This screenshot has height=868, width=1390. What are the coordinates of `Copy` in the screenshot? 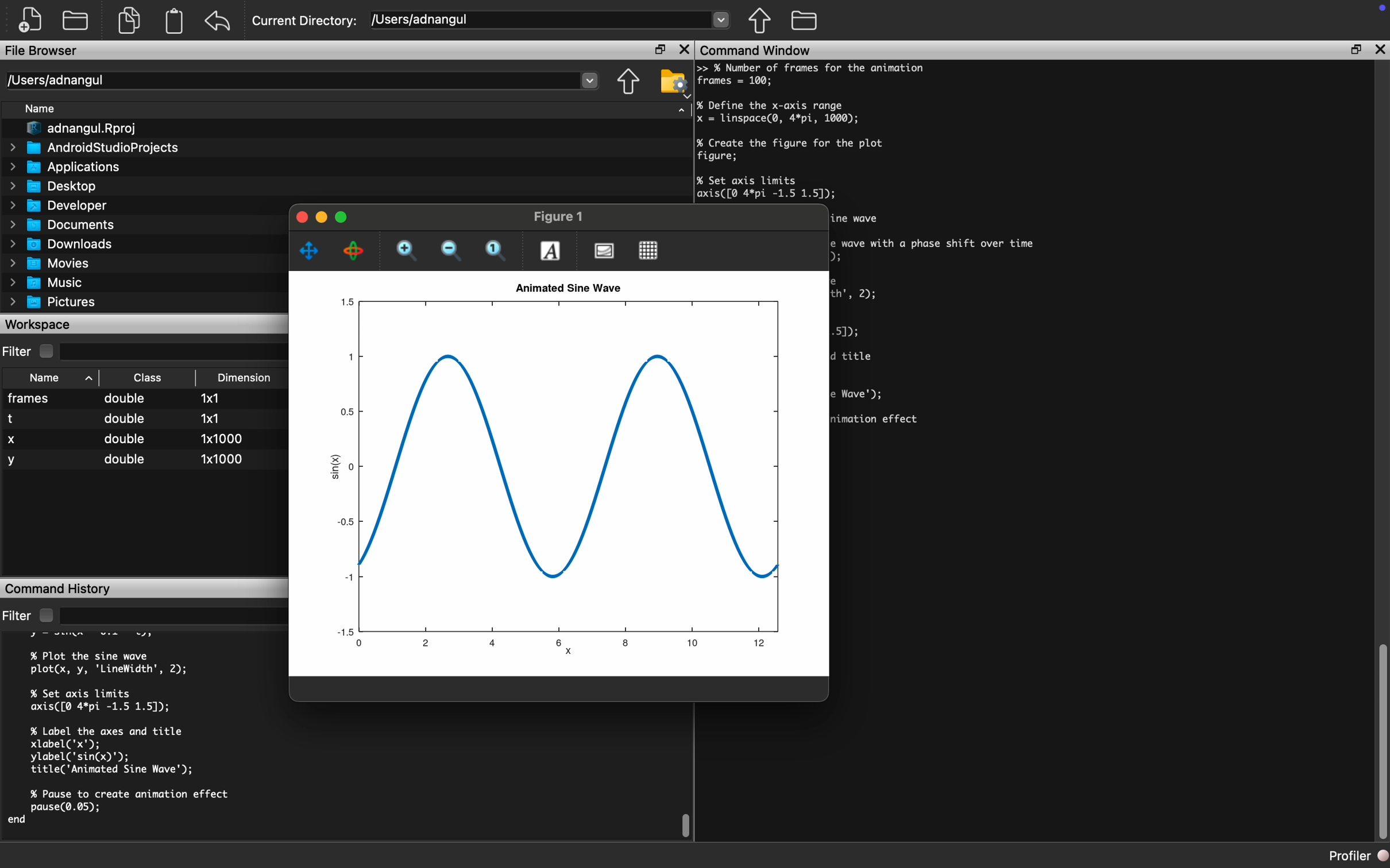 It's located at (129, 23).